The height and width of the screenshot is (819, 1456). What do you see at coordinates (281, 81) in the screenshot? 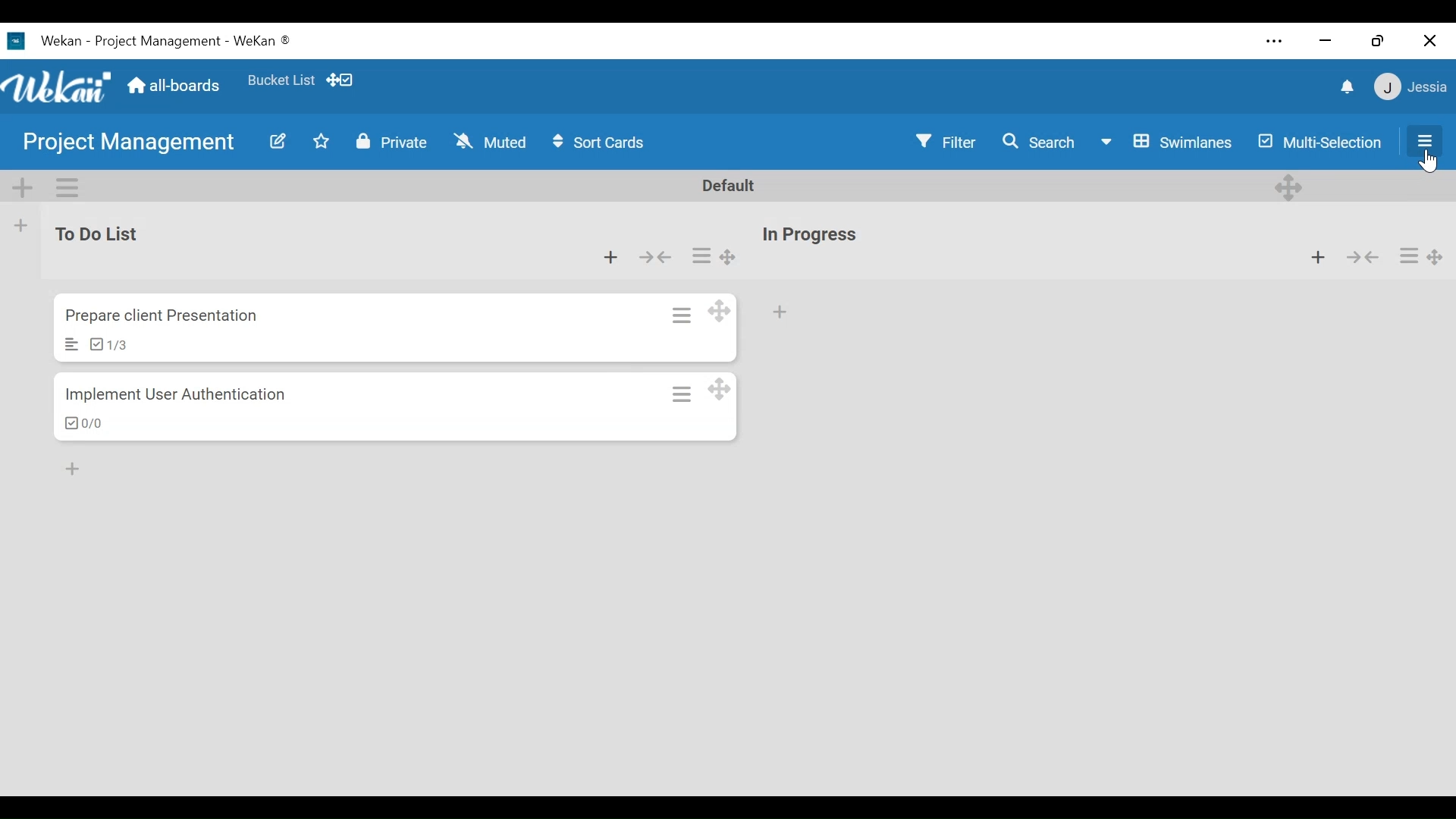
I see `Favorite` at bounding box center [281, 81].